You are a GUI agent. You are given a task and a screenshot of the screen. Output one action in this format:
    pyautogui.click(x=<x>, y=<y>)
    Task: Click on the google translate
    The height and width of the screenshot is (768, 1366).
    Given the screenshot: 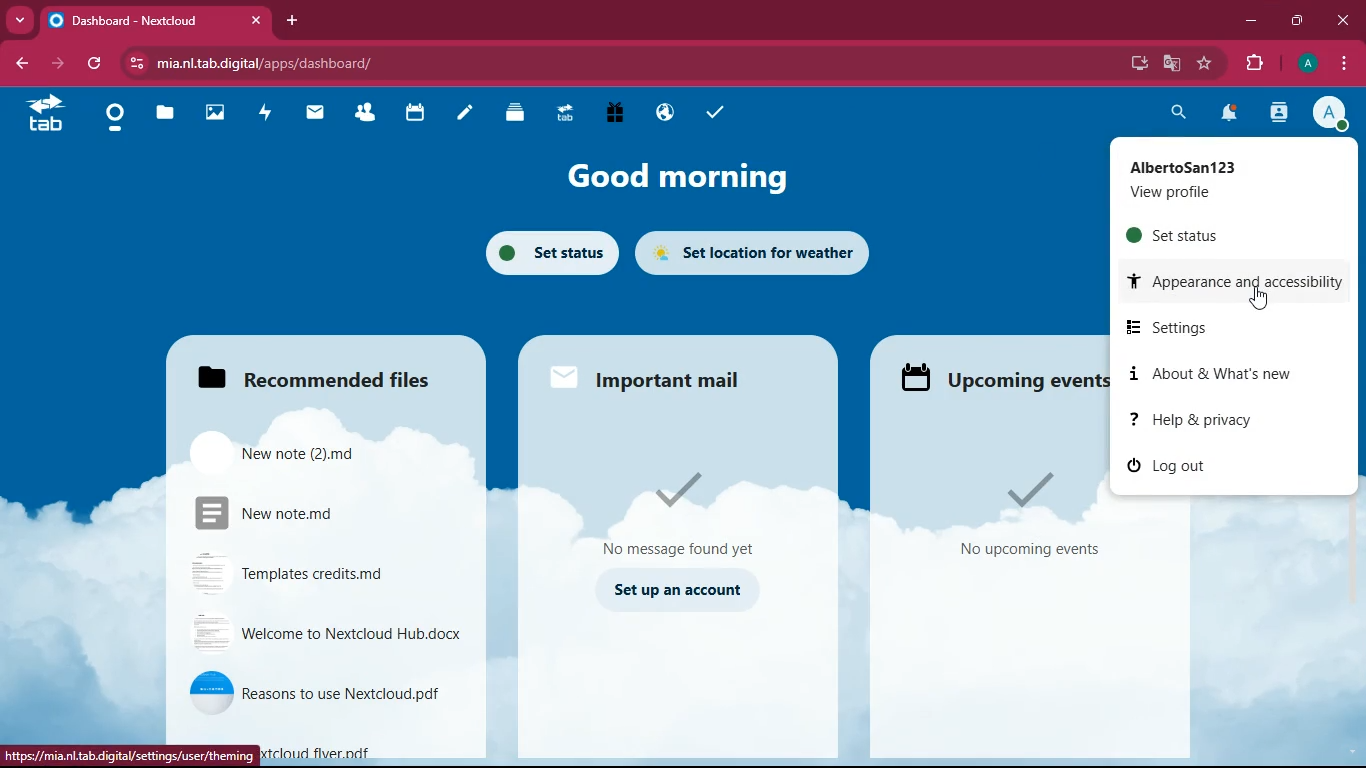 What is the action you would take?
    pyautogui.click(x=1172, y=63)
    